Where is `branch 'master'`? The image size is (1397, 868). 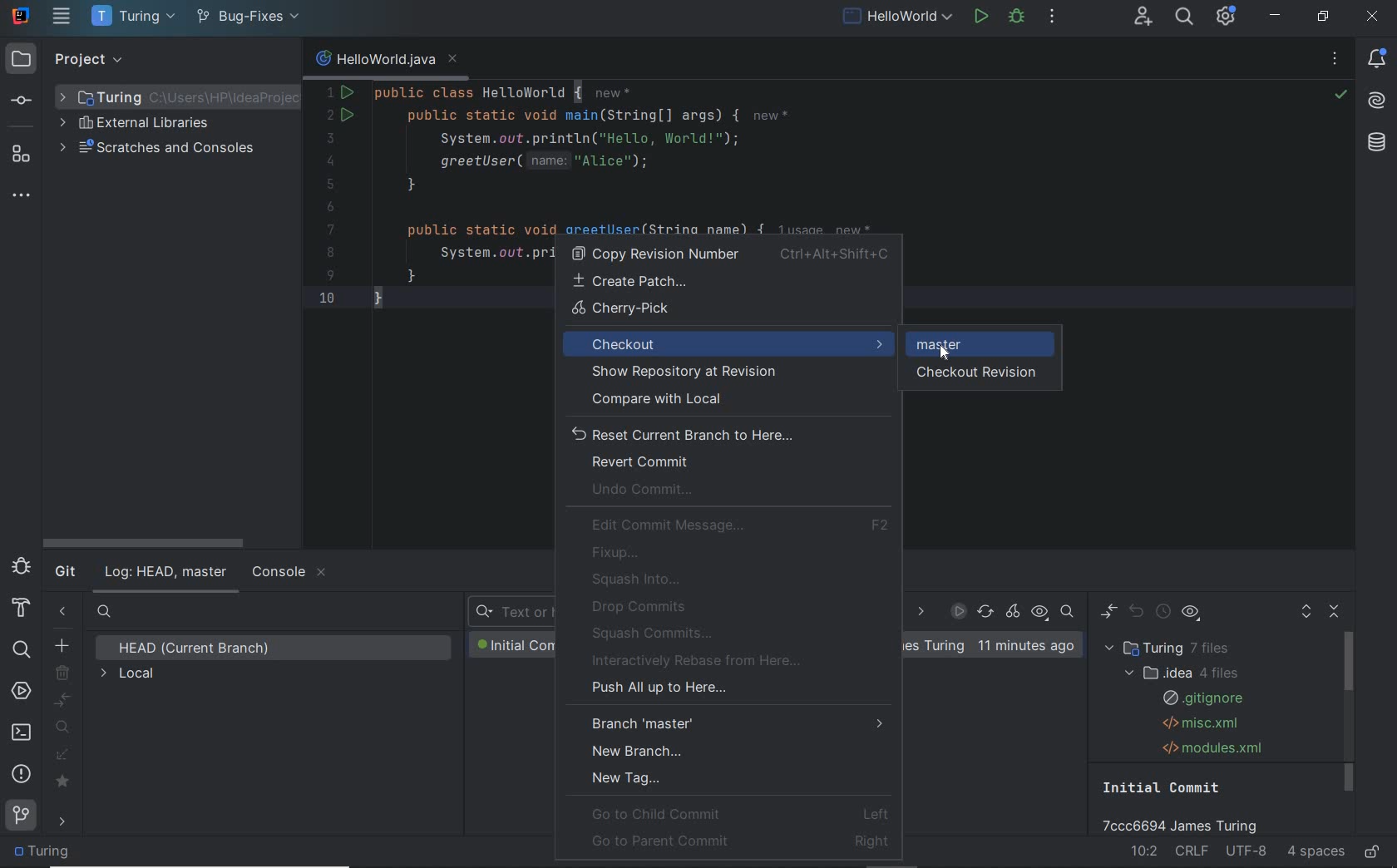
branch 'master' is located at coordinates (738, 723).